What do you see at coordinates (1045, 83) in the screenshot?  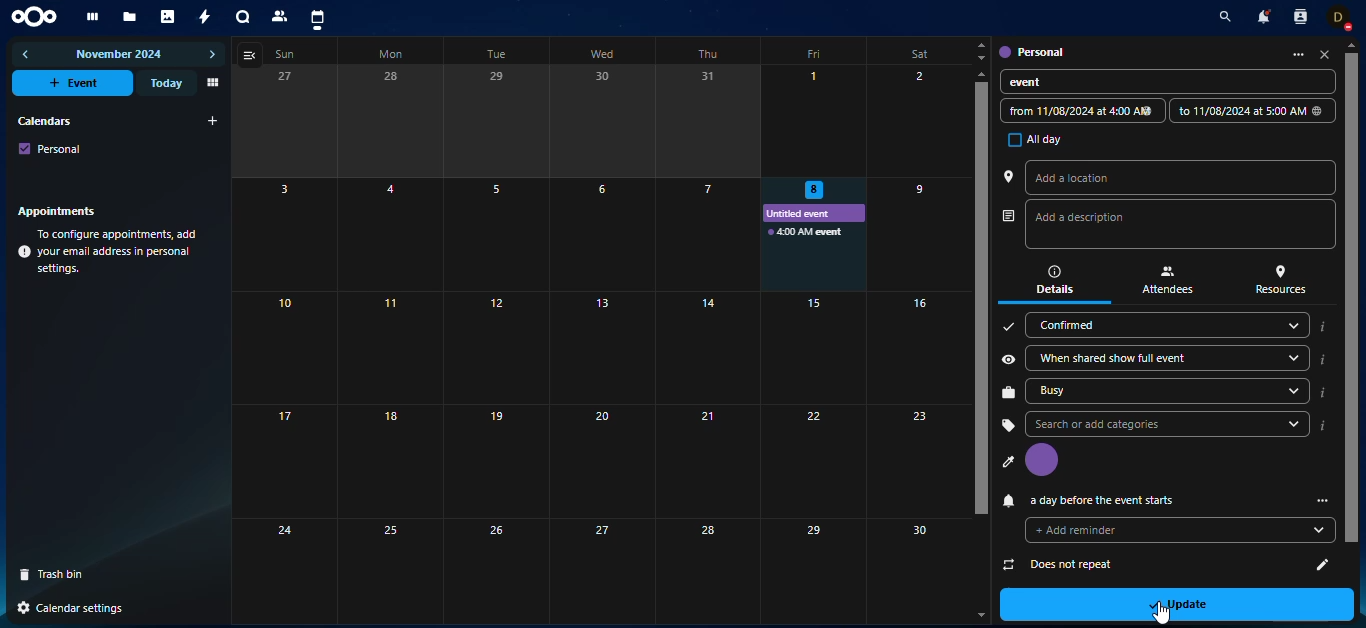 I see `event` at bounding box center [1045, 83].